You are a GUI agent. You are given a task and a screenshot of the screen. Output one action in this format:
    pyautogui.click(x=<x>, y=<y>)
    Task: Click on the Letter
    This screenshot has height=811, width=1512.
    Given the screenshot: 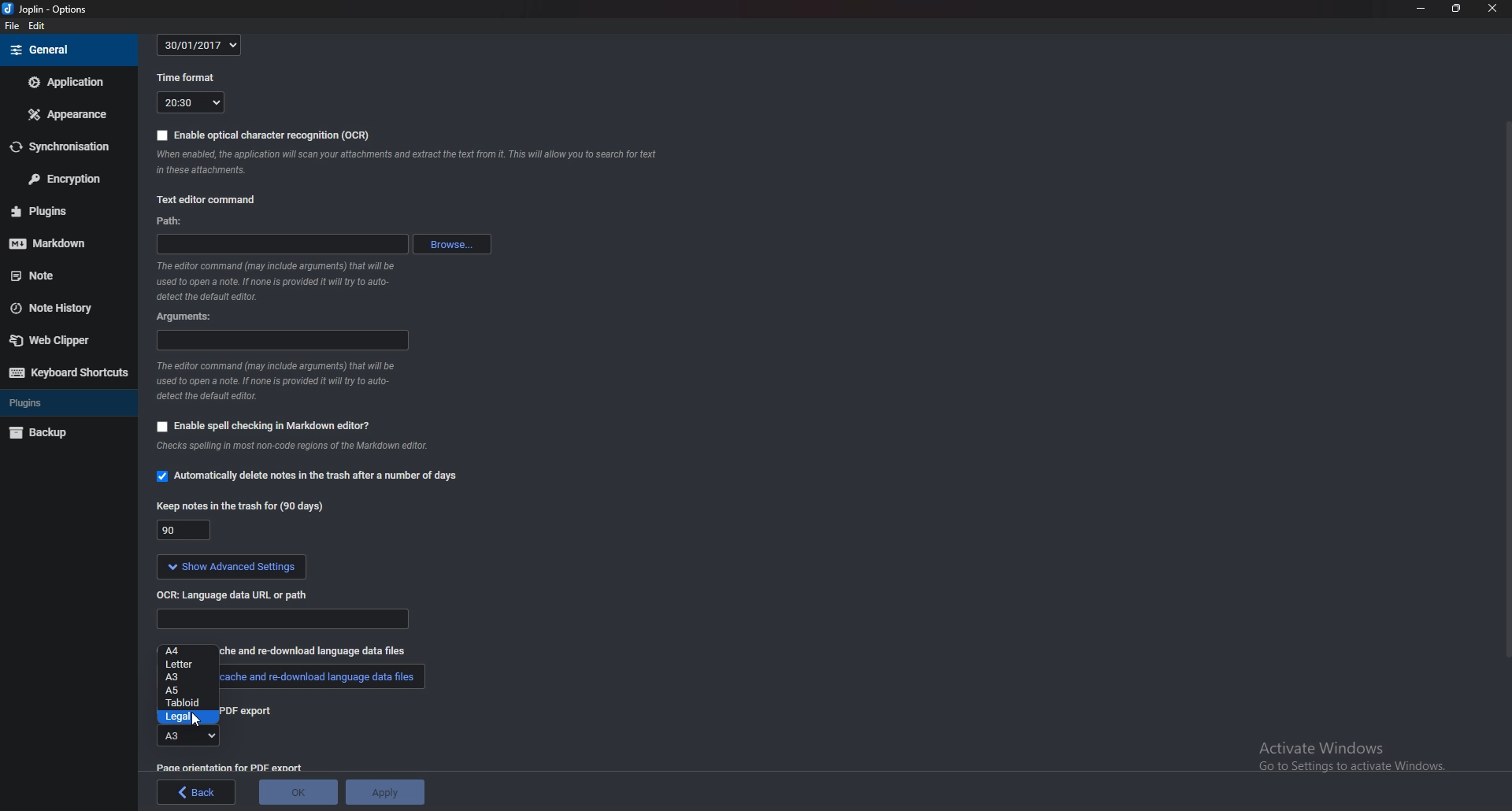 What is the action you would take?
    pyautogui.click(x=187, y=665)
    